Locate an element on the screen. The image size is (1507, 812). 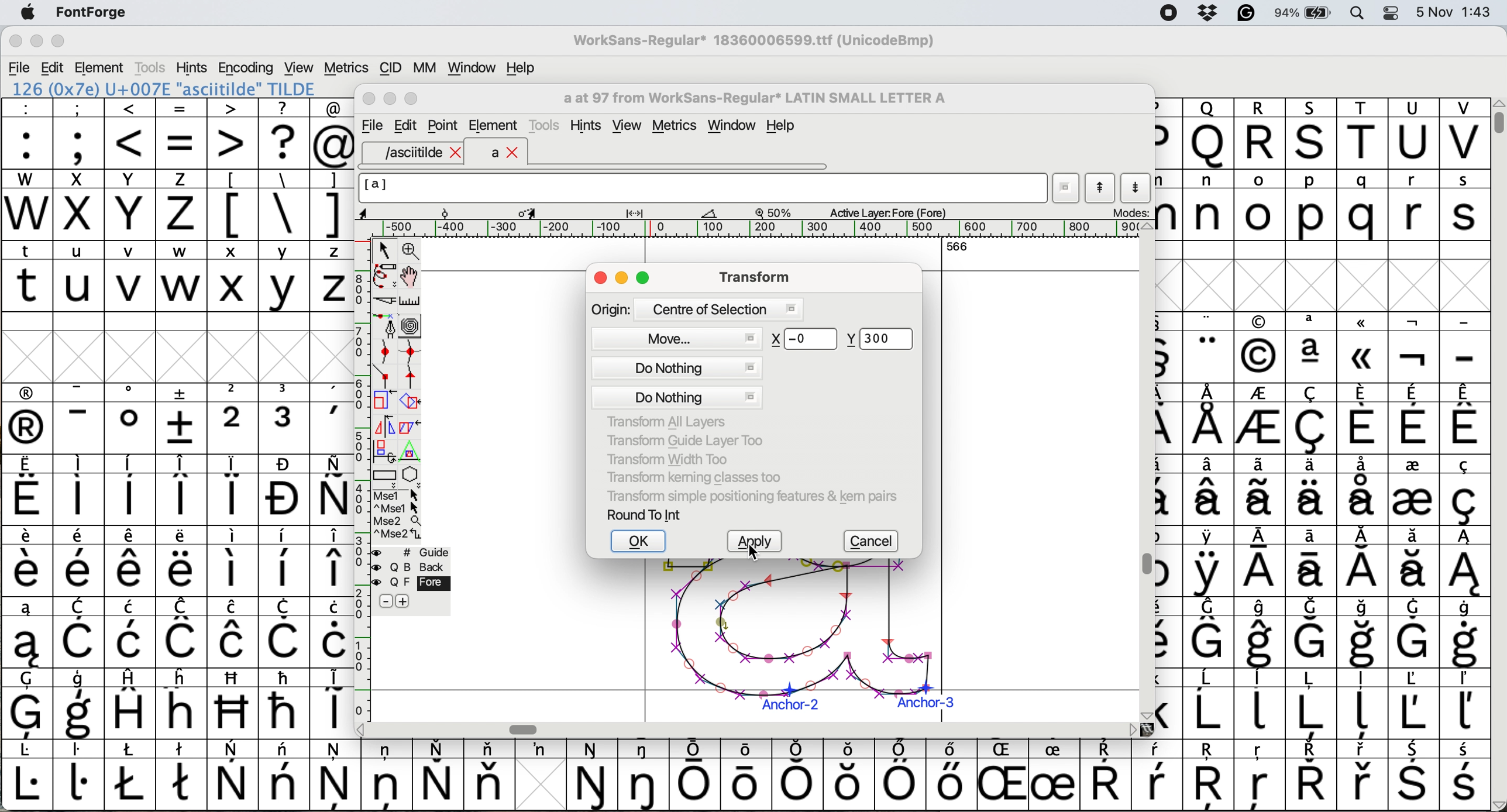
symbol is located at coordinates (285, 775).